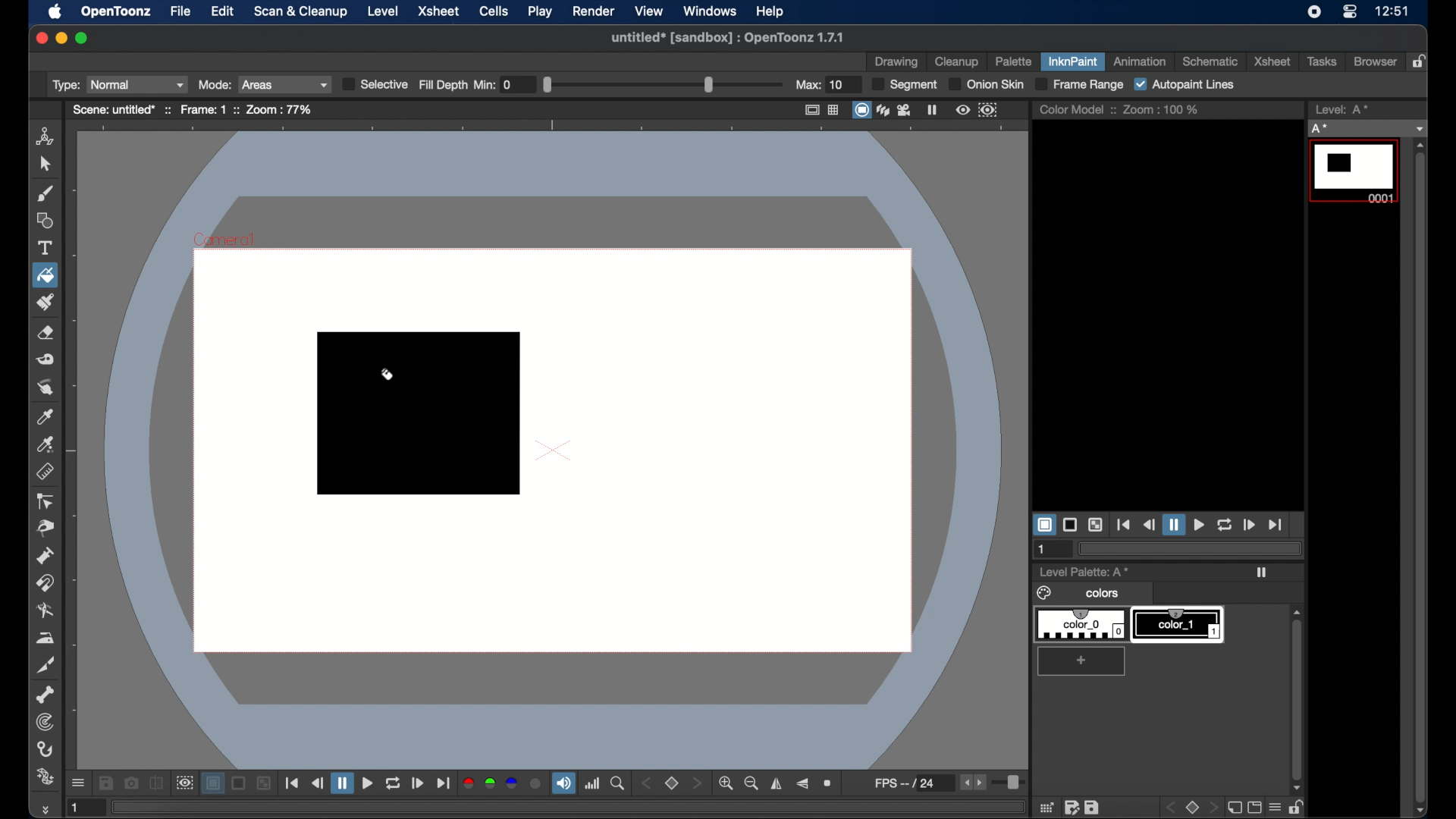  I want to click on menu, so click(1274, 807).